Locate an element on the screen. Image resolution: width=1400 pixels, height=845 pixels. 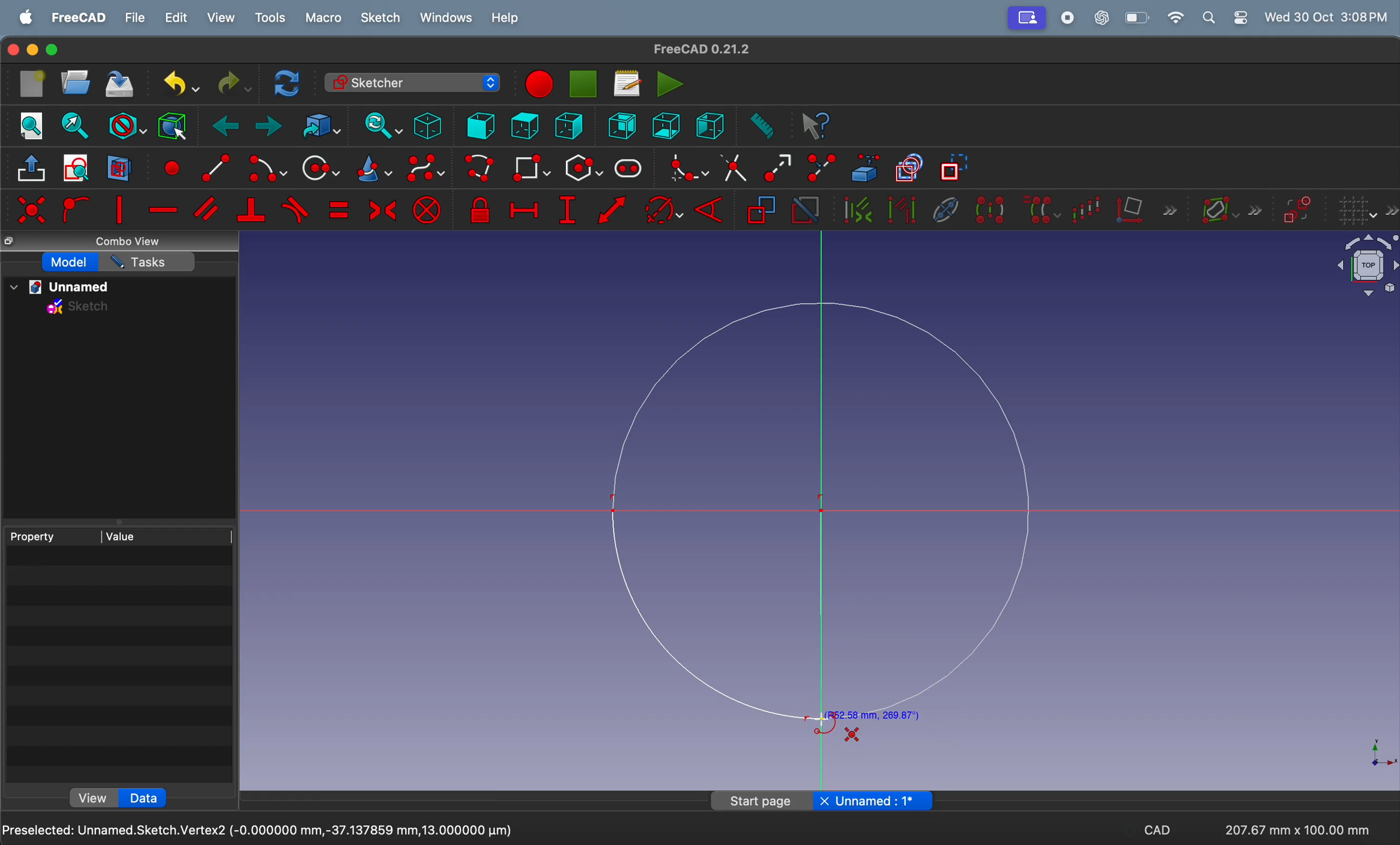
constraint arc of circle is located at coordinates (664, 210).